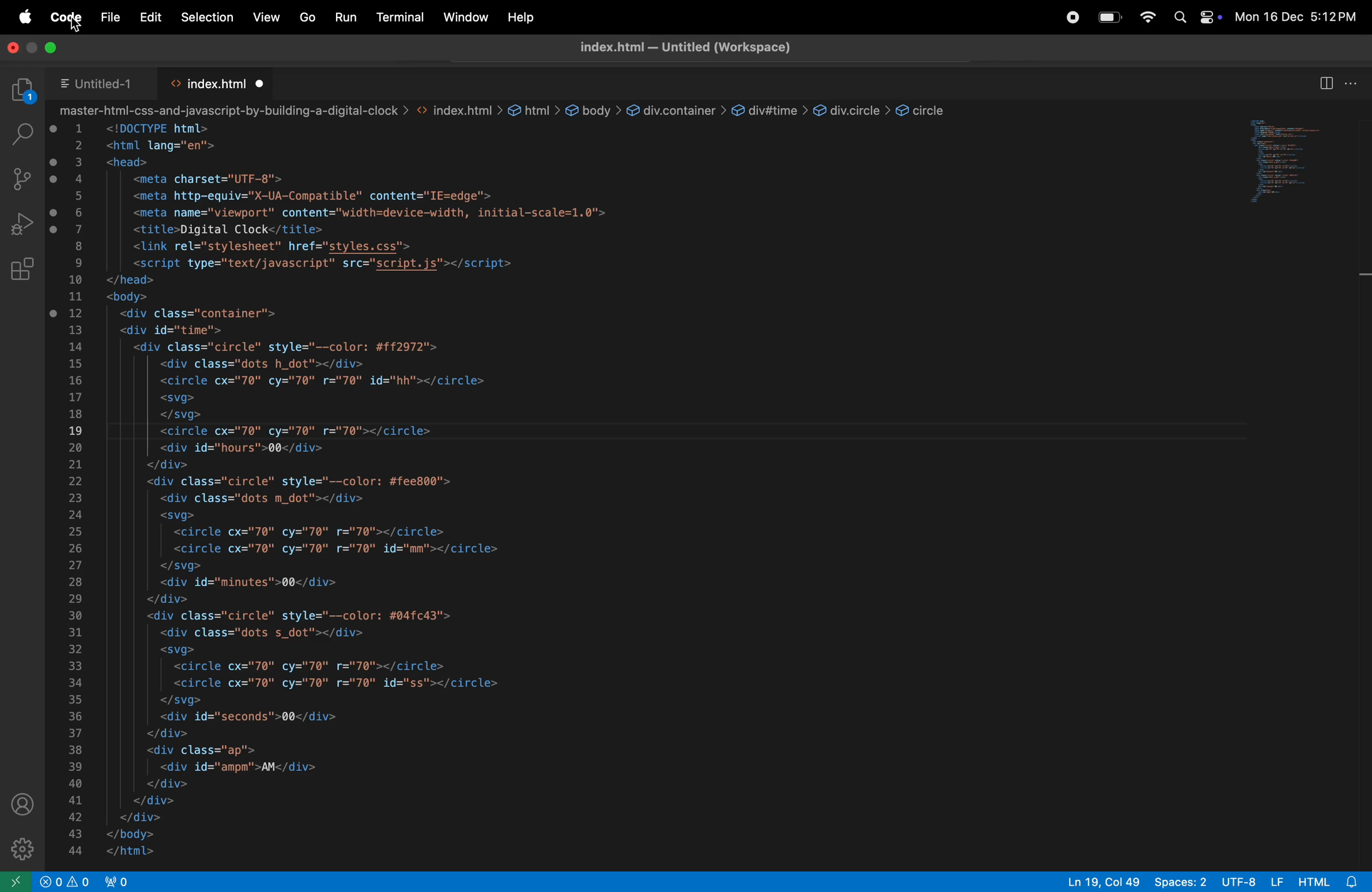  What do you see at coordinates (167, 598) in the screenshot?
I see `</div>` at bounding box center [167, 598].